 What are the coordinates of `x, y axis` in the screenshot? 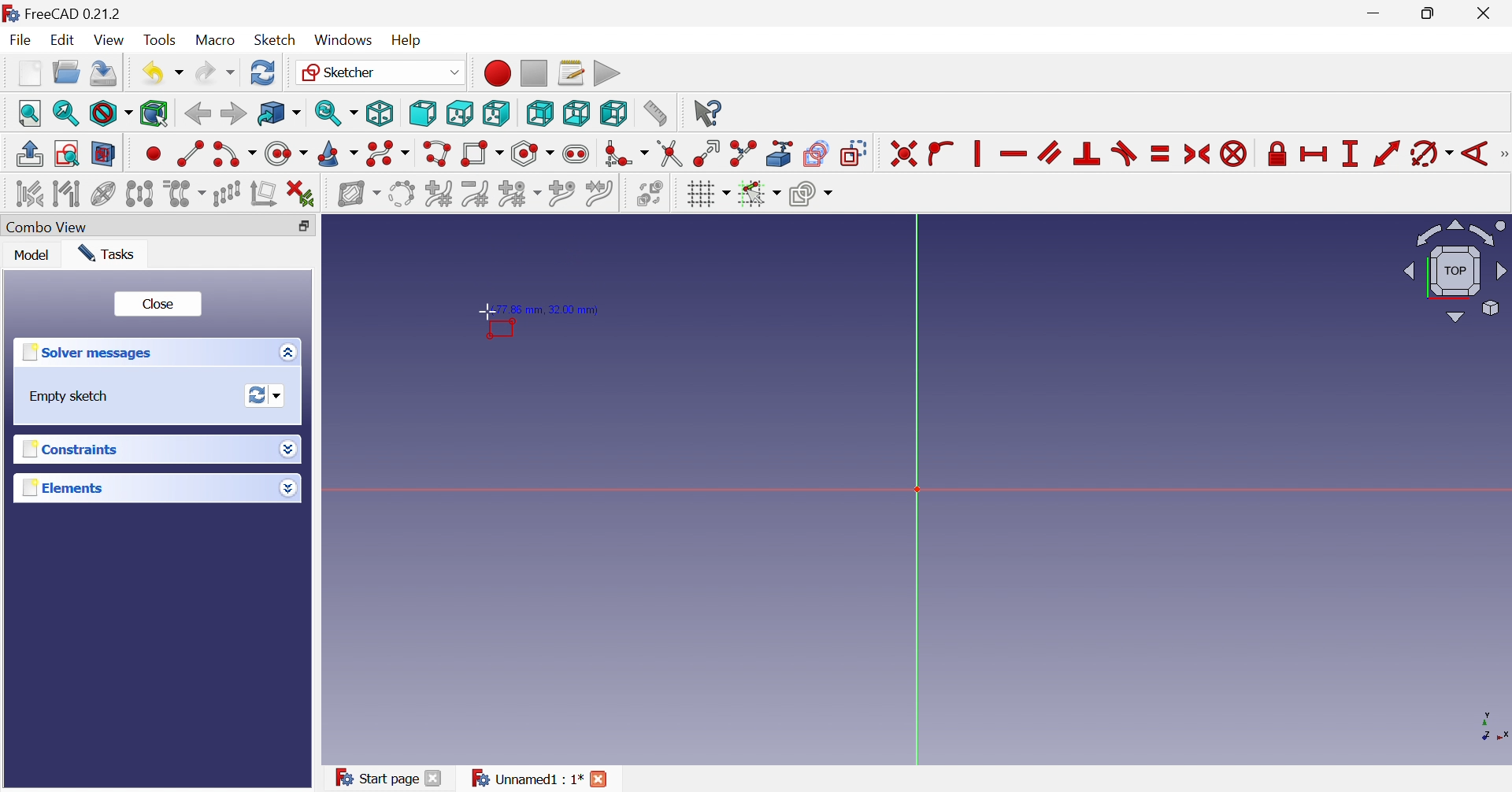 It's located at (1490, 726).